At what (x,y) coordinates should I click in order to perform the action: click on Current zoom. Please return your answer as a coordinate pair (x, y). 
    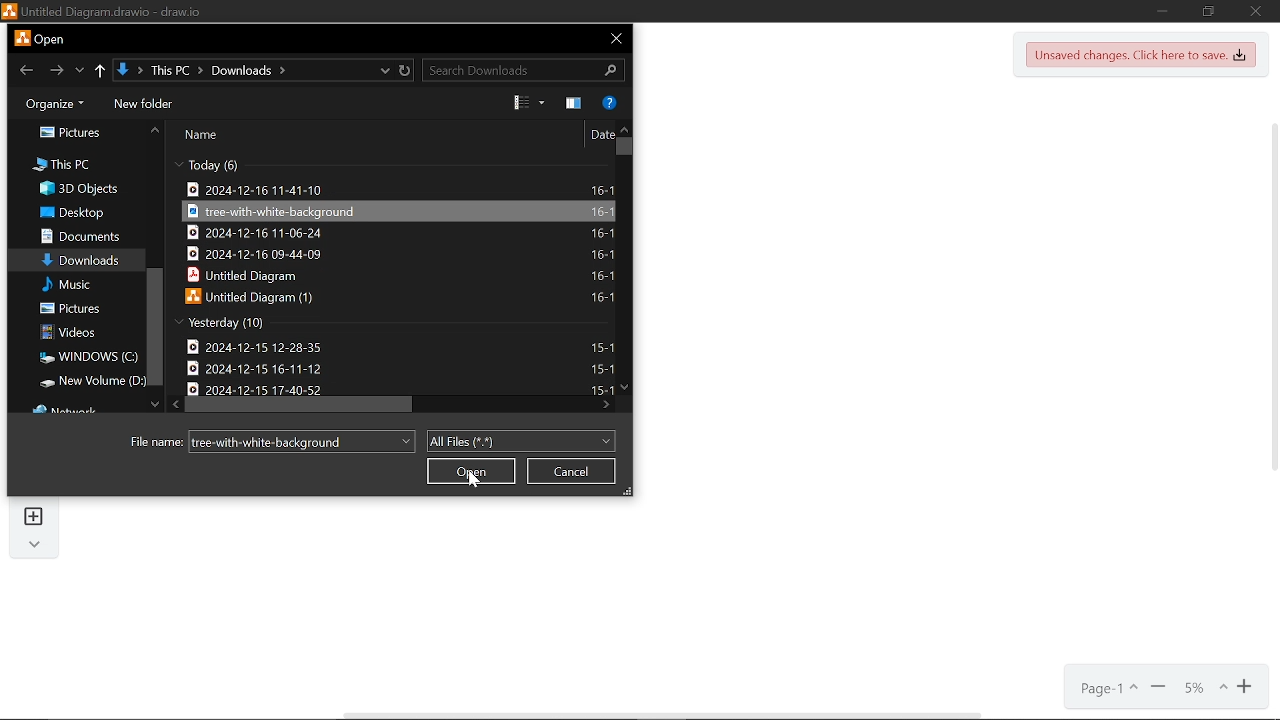
    Looking at the image, I should click on (1204, 686).